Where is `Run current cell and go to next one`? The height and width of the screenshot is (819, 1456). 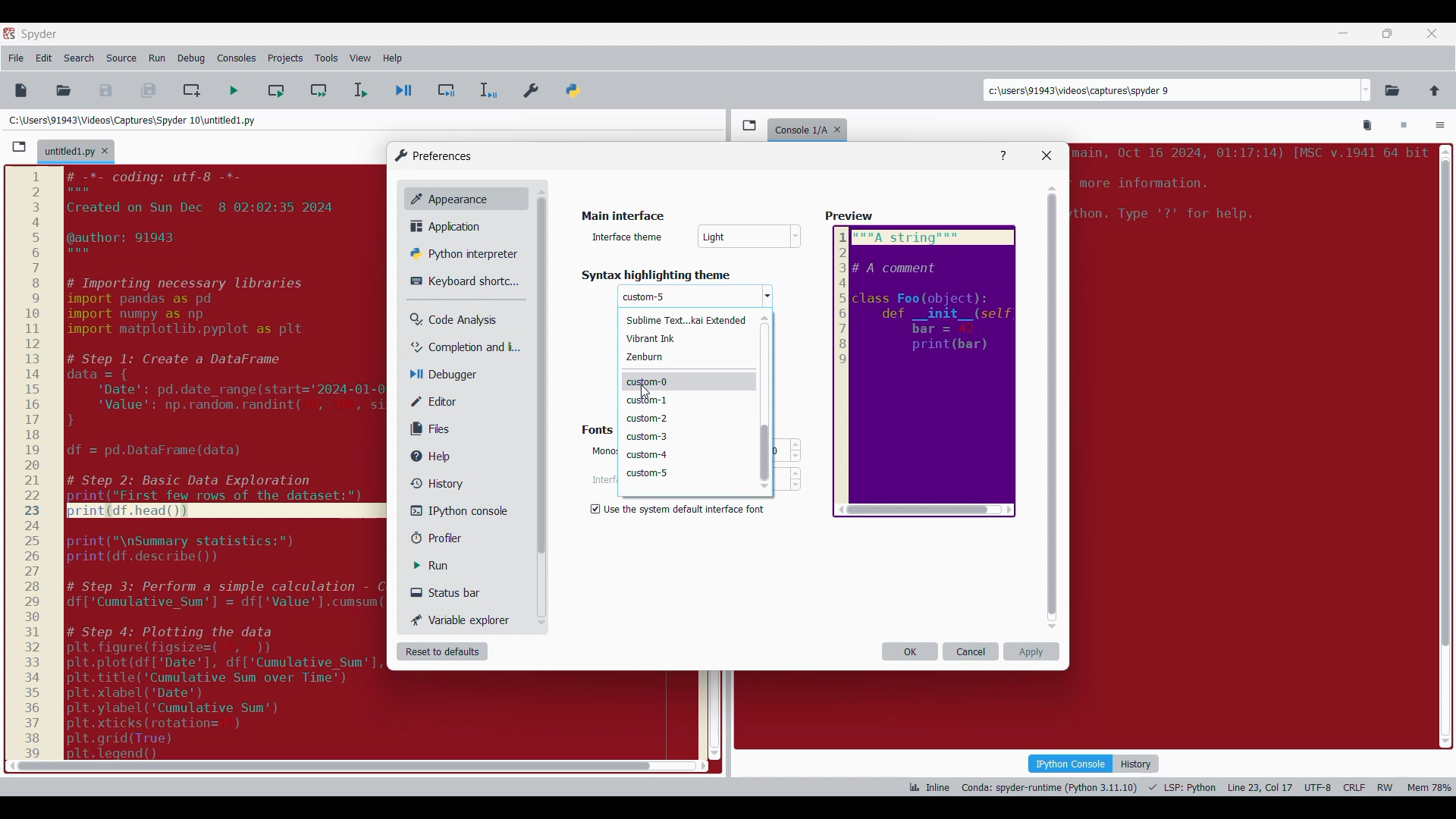
Run current cell and go to next one is located at coordinates (318, 90).